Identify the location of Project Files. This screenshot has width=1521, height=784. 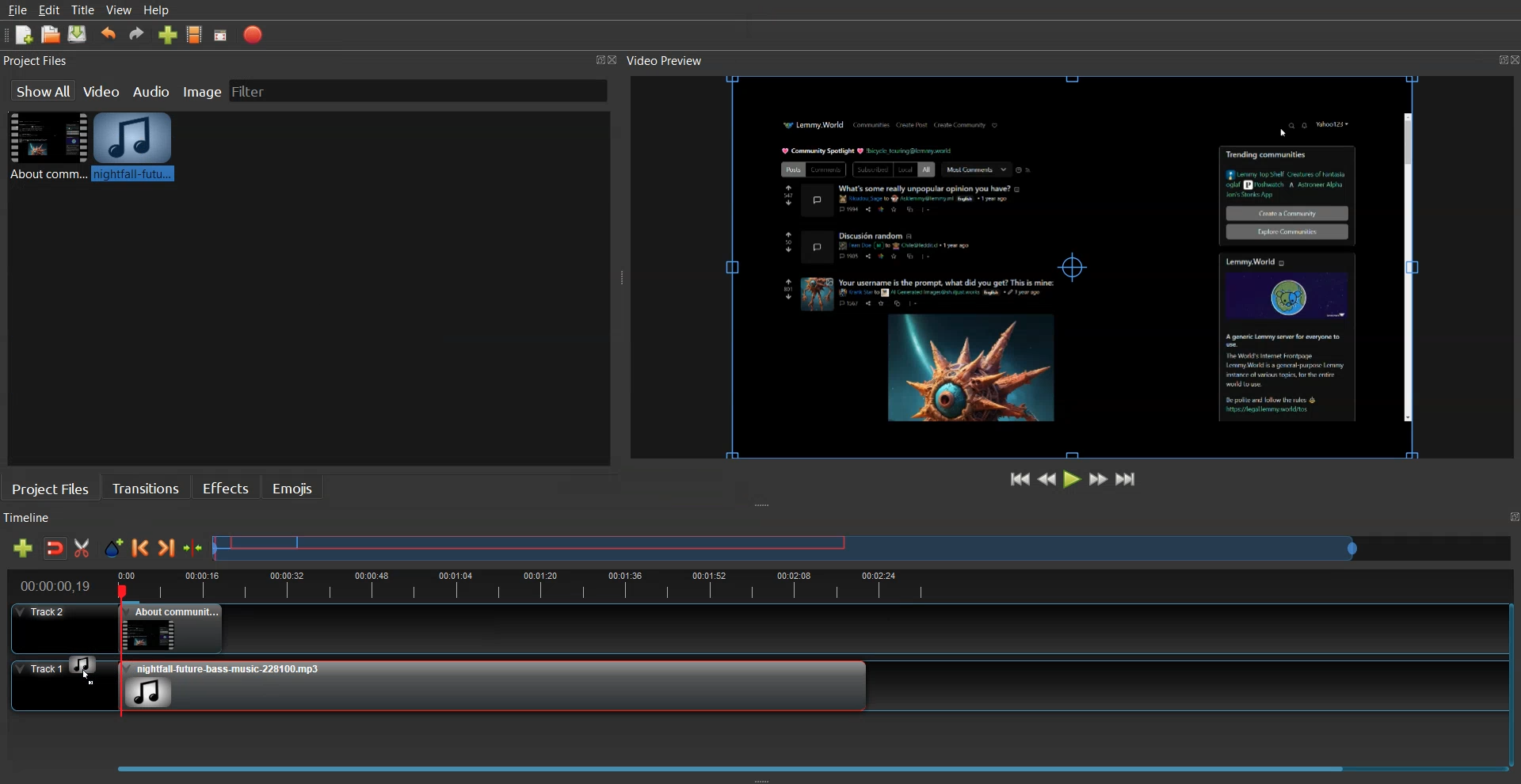
(38, 61).